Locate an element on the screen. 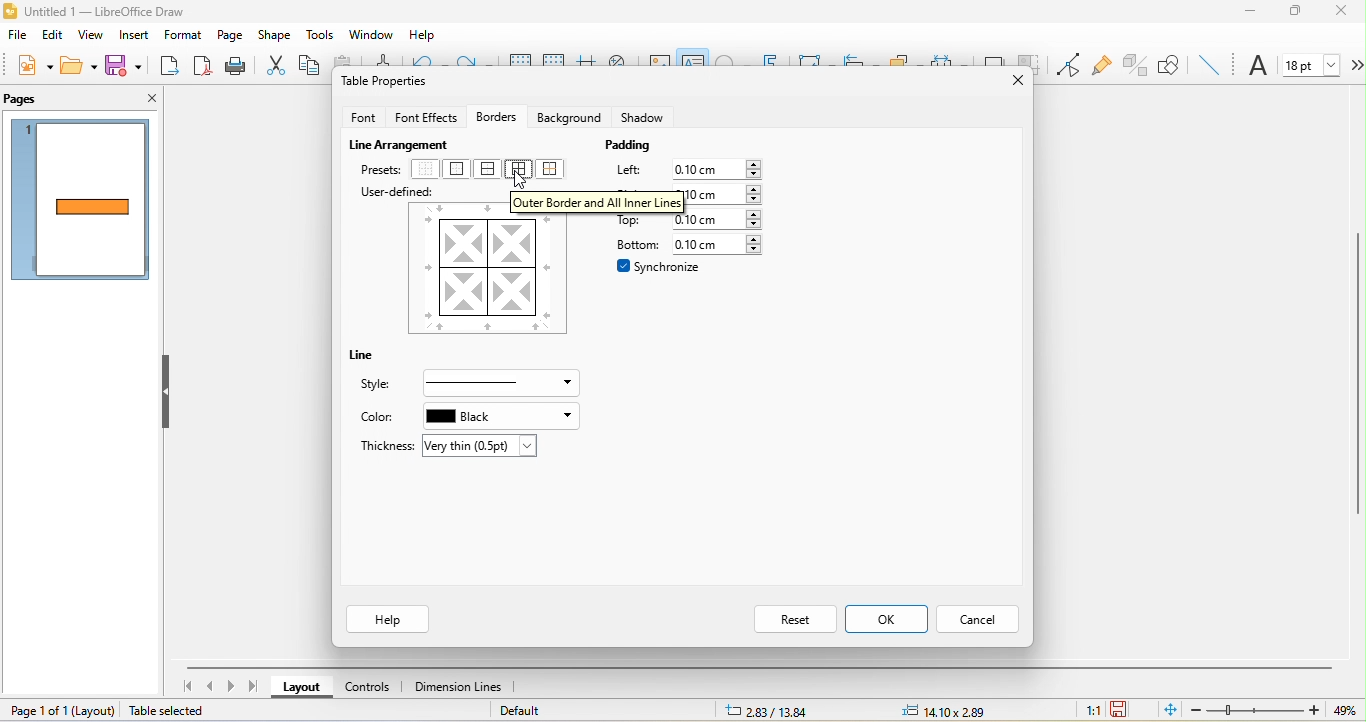 Image resolution: width=1366 pixels, height=722 pixels. insert is located at coordinates (133, 37).